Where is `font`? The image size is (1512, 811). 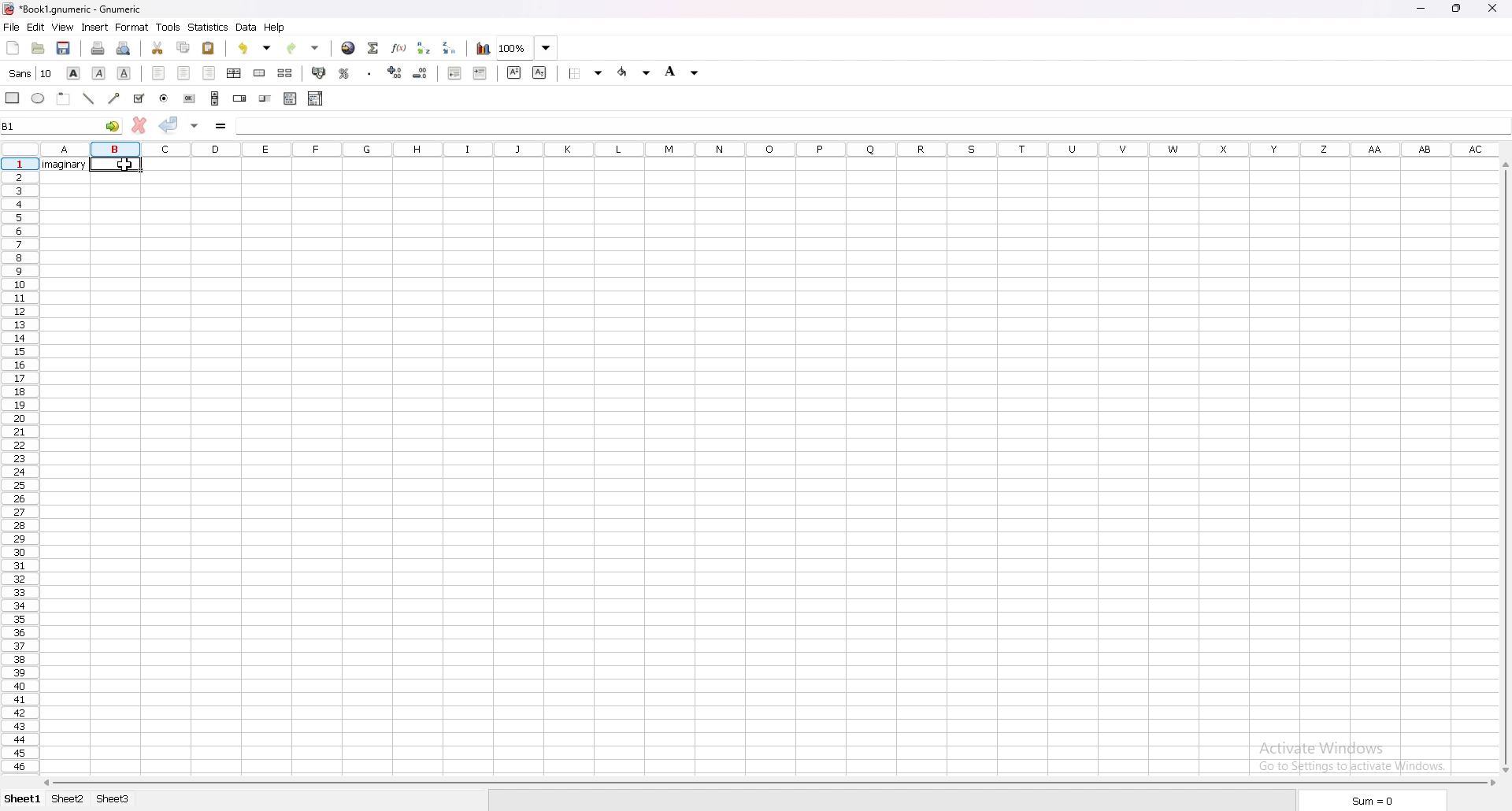
font is located at coordinates (32, 73).